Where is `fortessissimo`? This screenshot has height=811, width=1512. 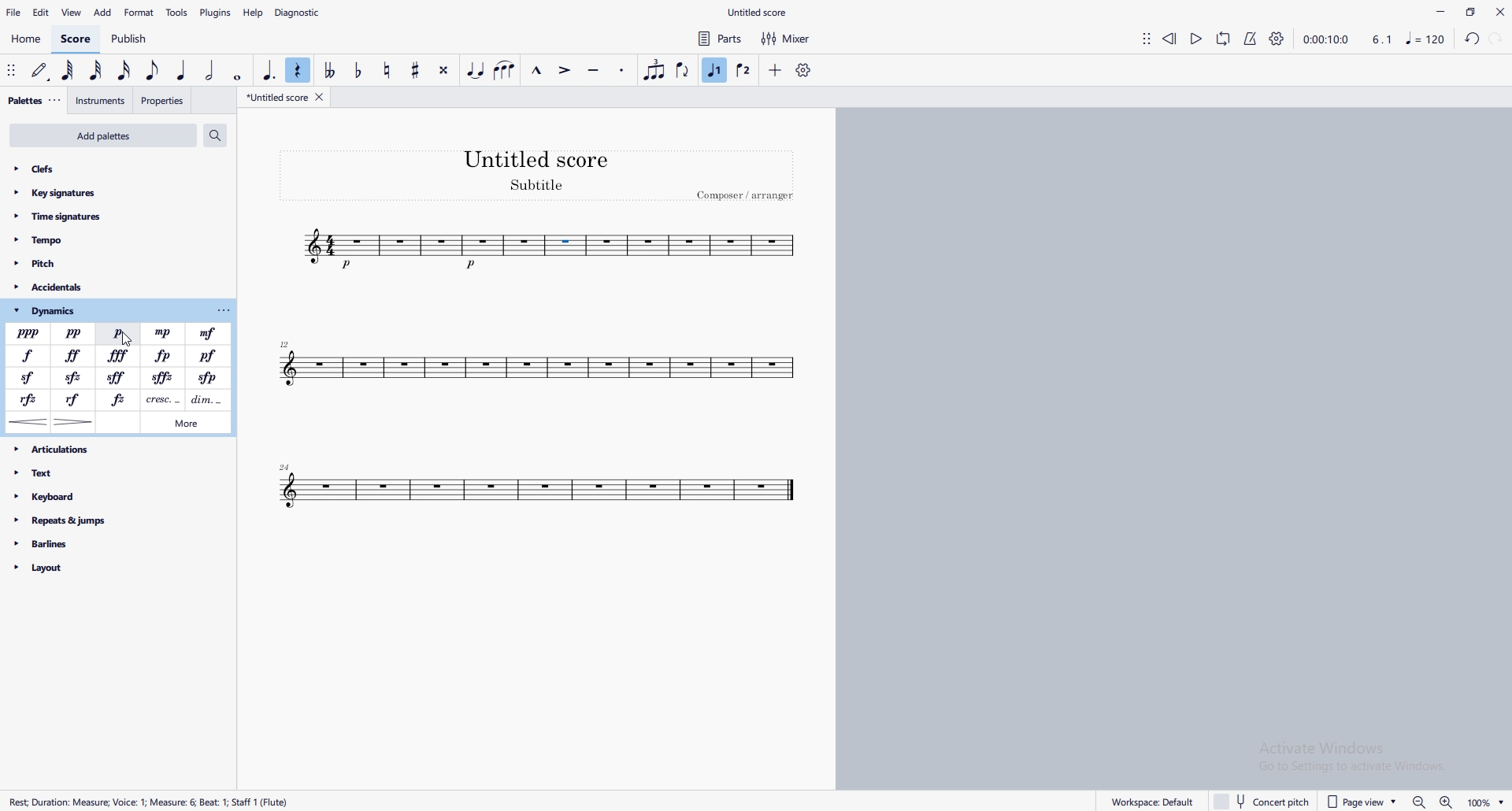
fortessissimo is located at coordinates (118, 356).